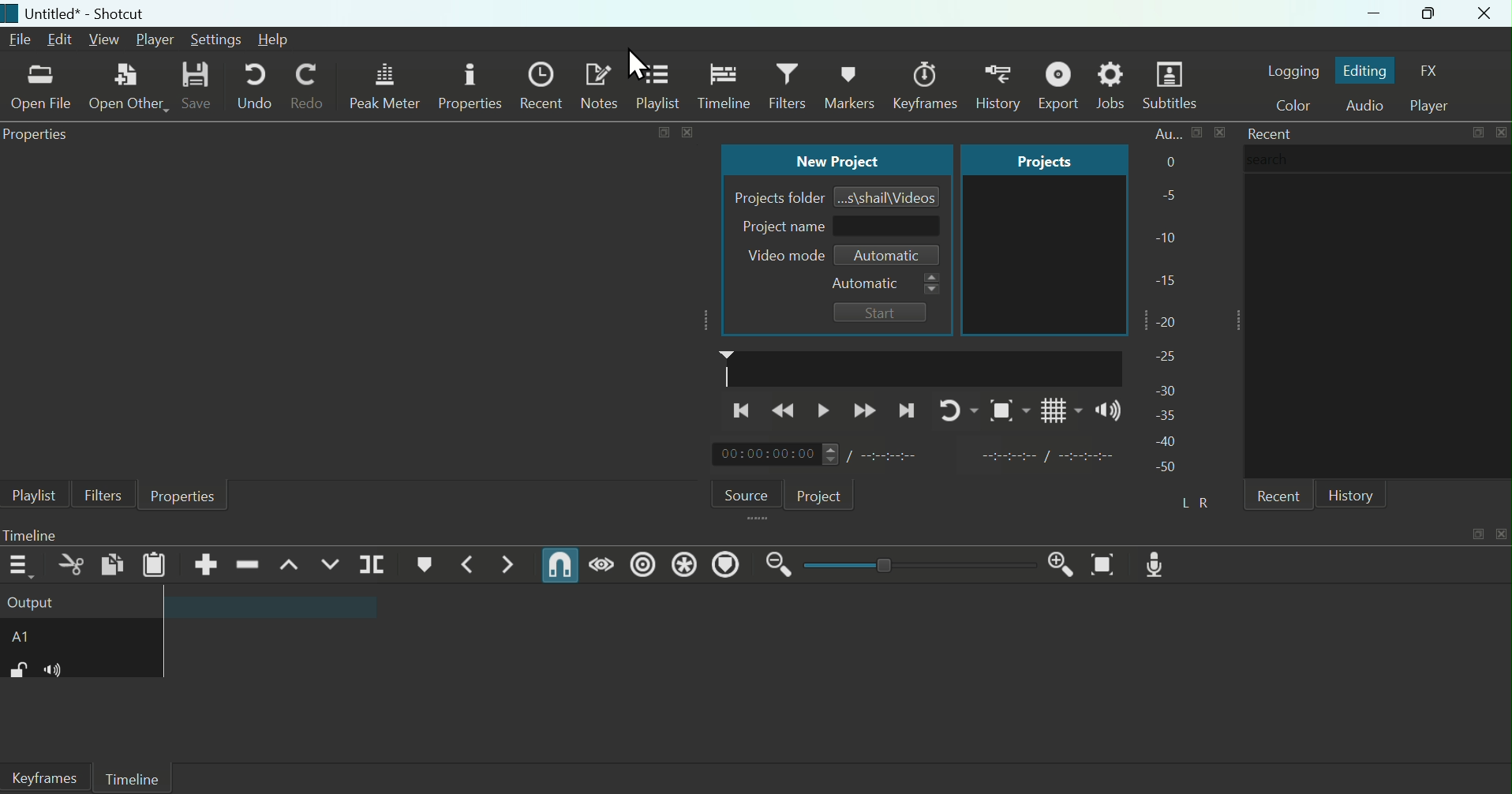 The image size is (1512, 794). I want to click on Cut, so click(67, 567).